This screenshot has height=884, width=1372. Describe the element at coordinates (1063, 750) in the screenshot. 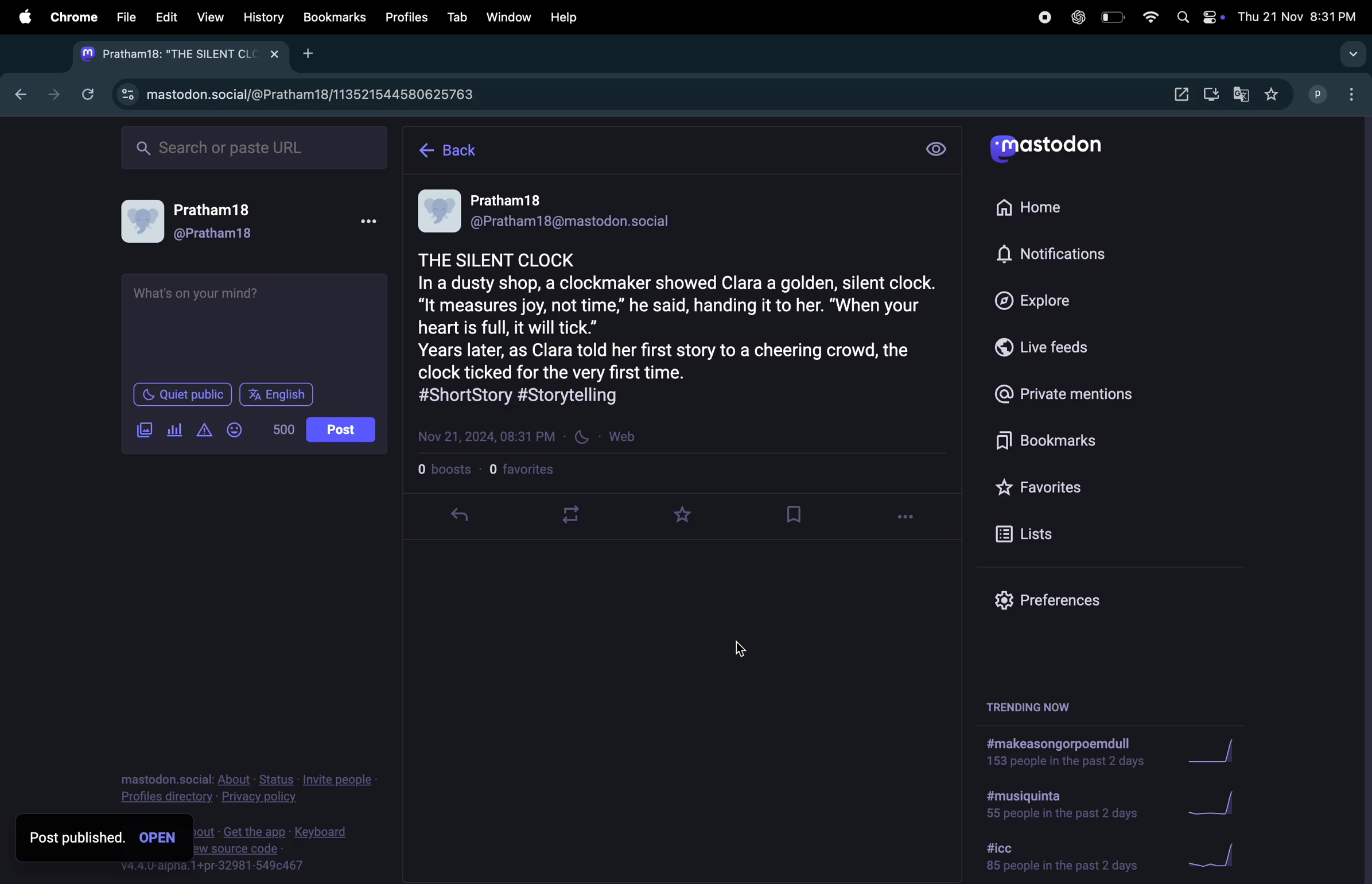

I see `hashtag` at that location.